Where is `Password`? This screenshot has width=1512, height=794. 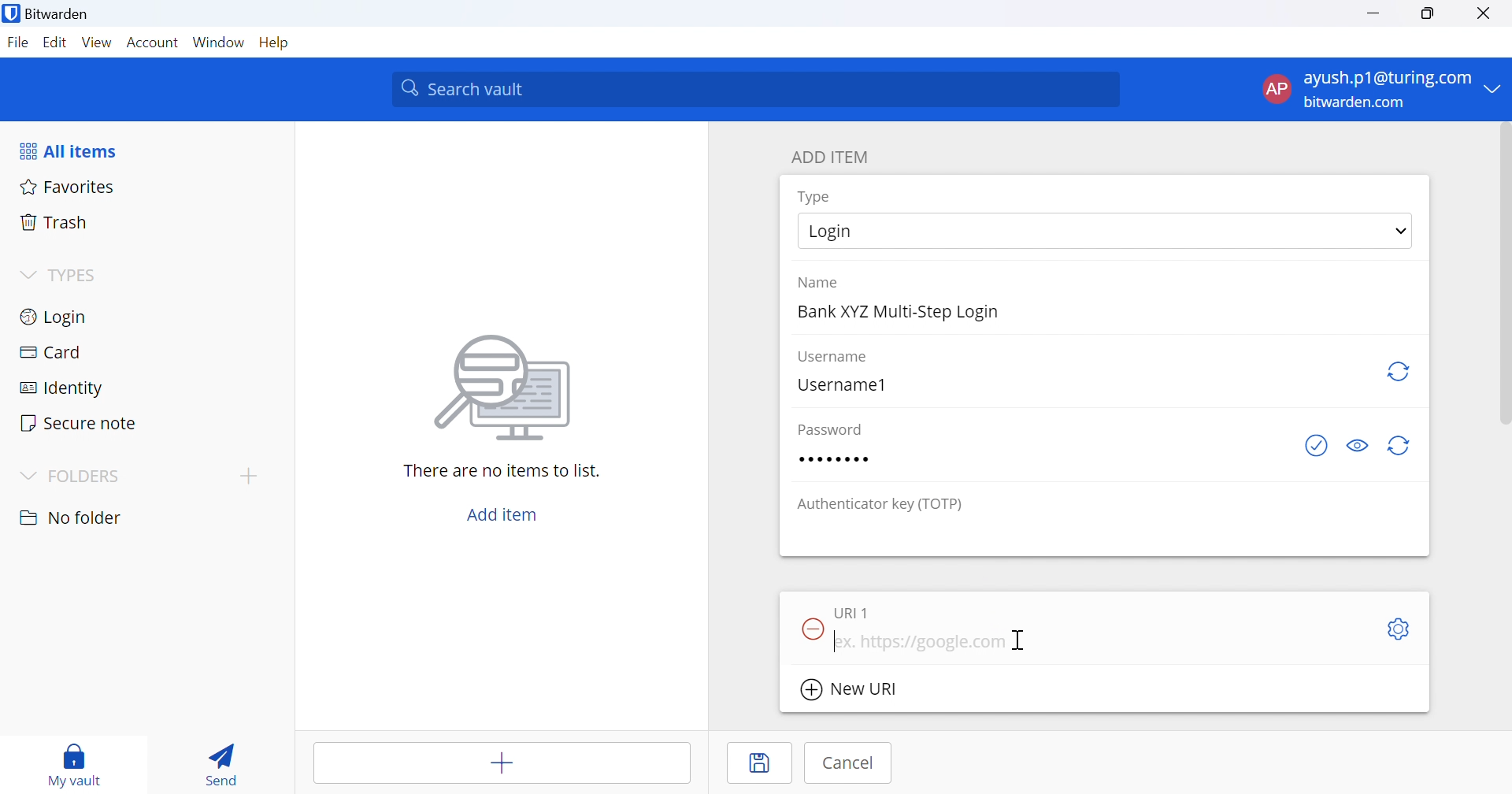 Password is located at coordinates (832, 460).